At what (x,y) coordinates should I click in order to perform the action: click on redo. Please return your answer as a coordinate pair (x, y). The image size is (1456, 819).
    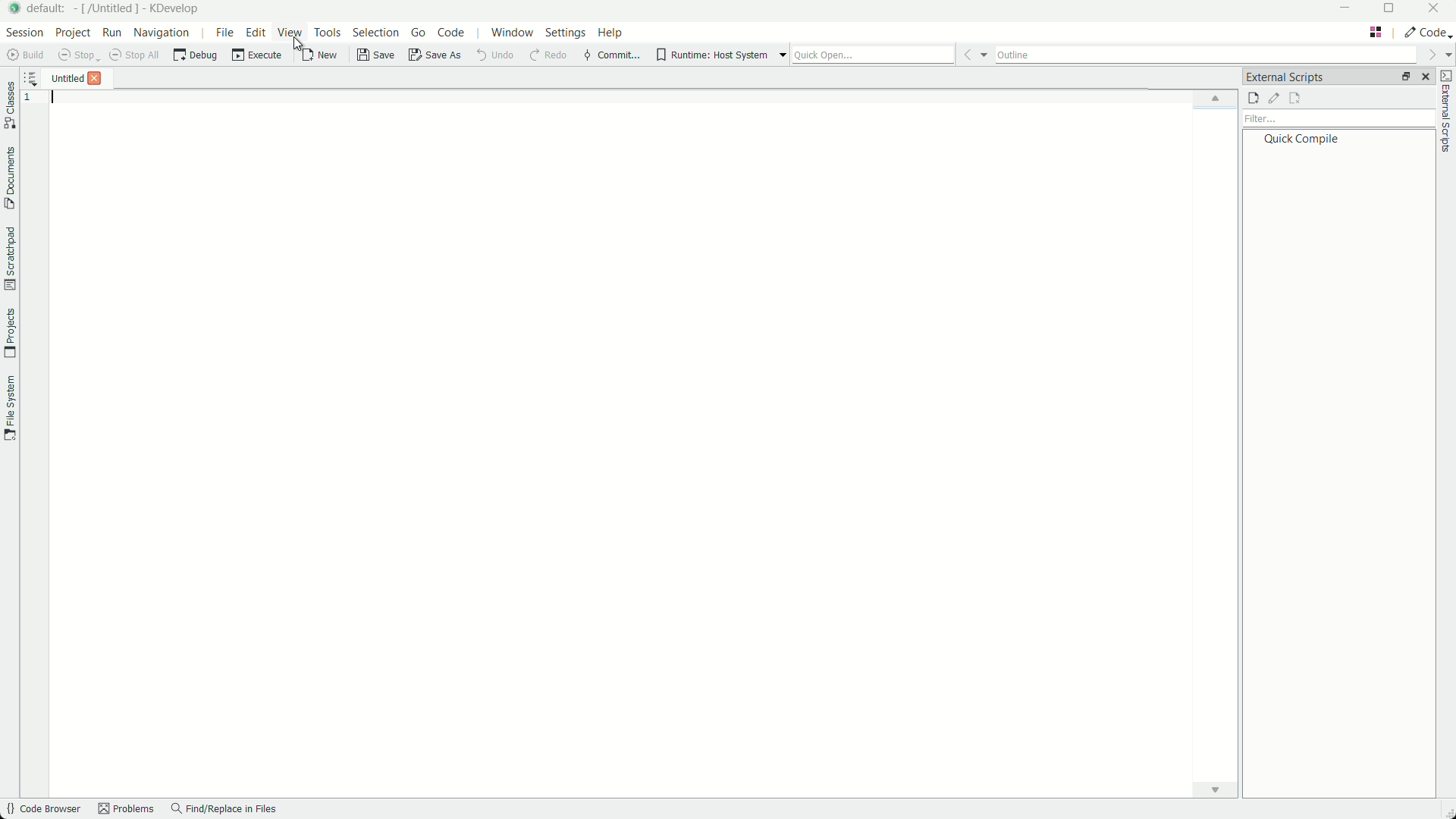
    Looking at the image, I should click on (549, 56).